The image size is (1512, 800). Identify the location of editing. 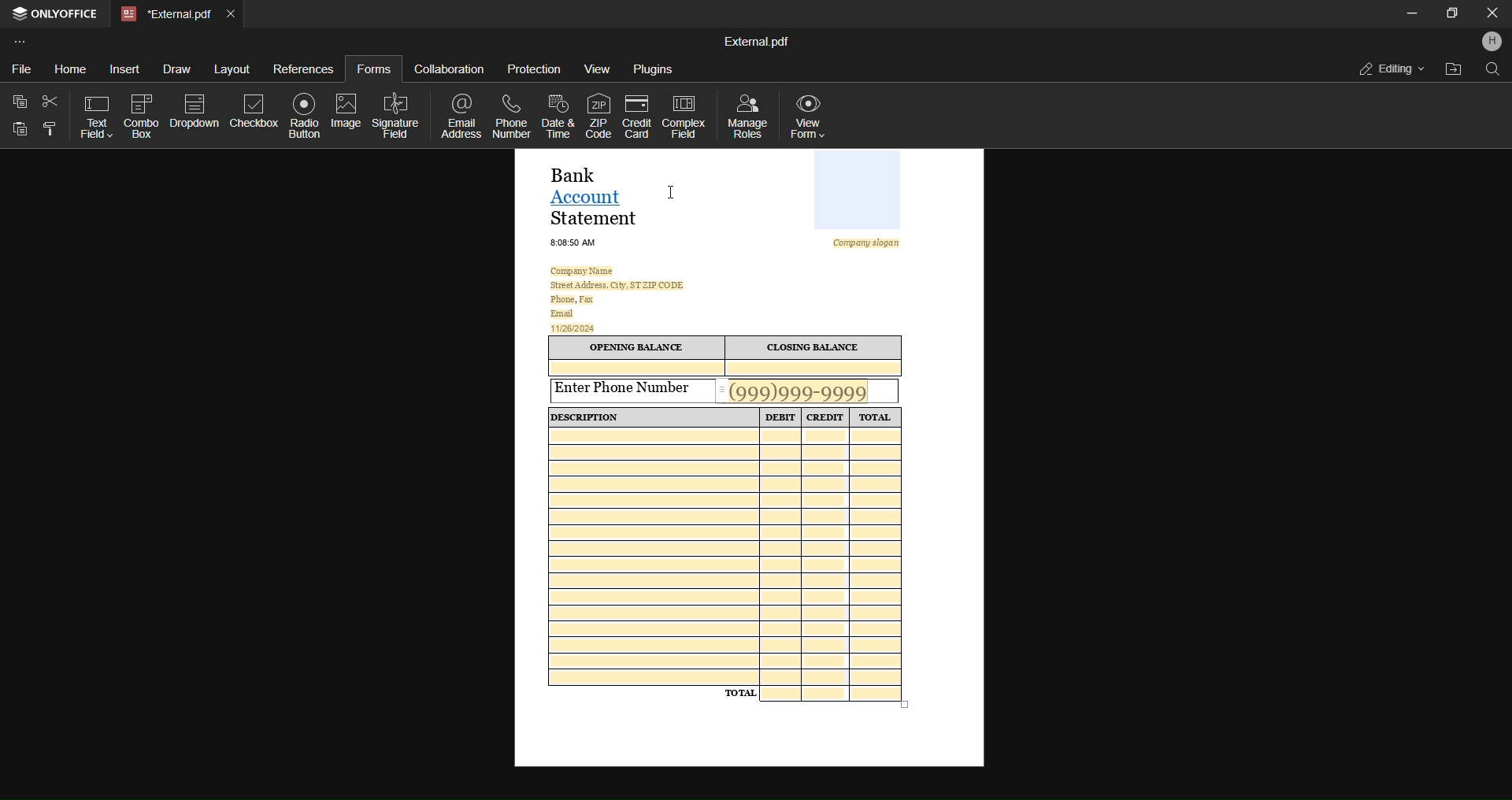
(1387, 69).